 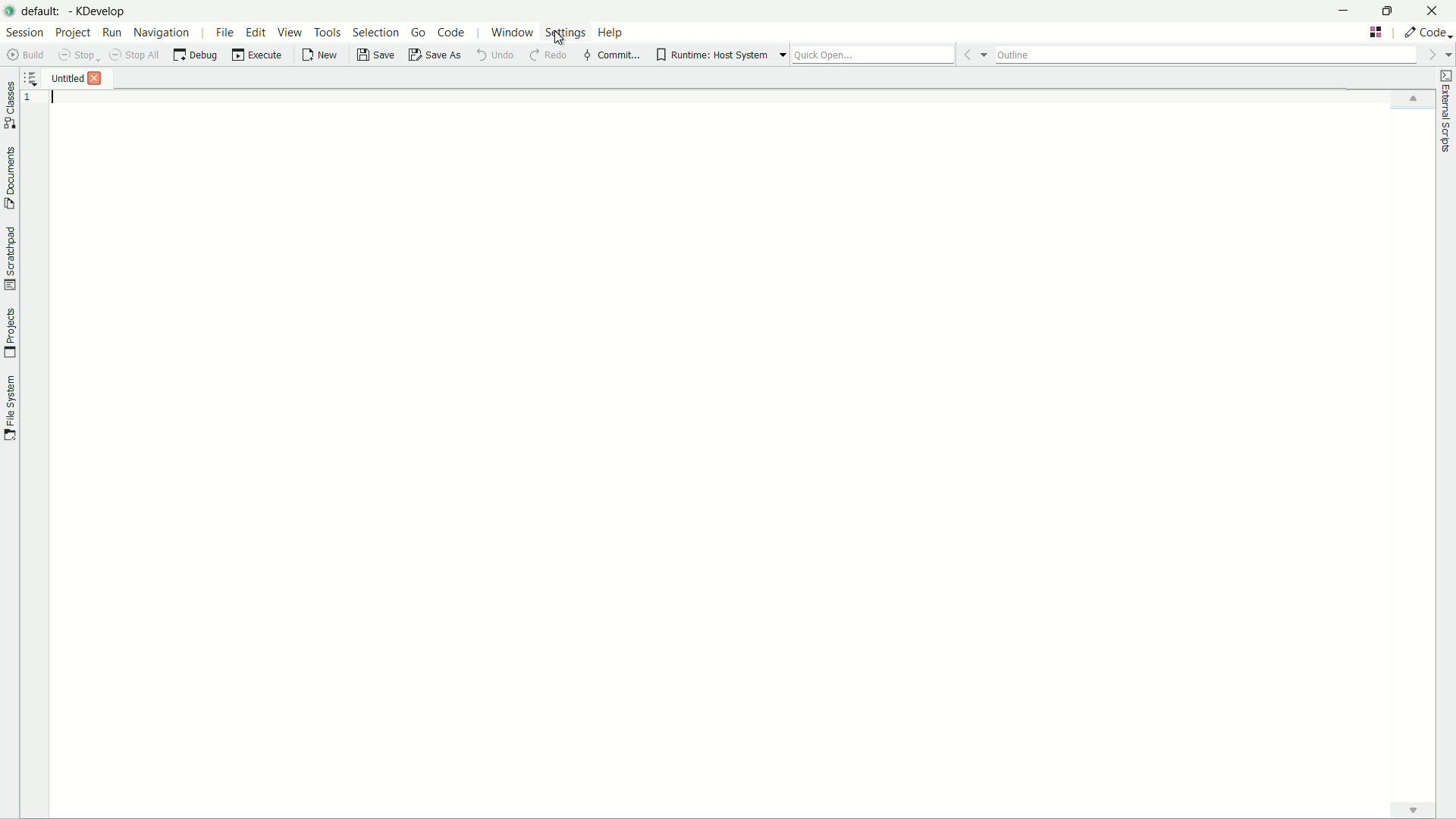 I want to click on run, so click(x=111, y=32).